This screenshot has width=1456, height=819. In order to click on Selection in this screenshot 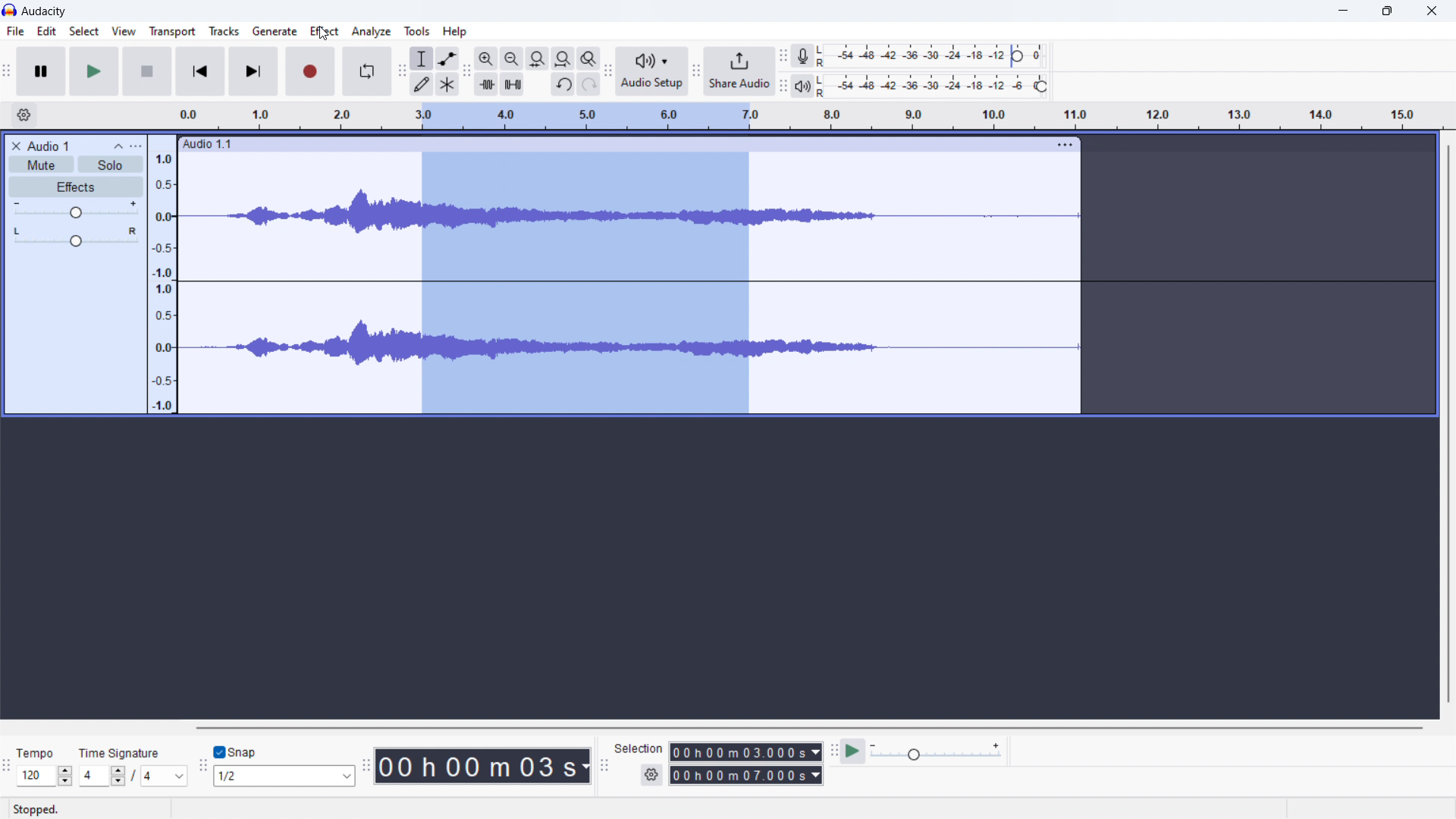, I will do `click(639, 750)`.